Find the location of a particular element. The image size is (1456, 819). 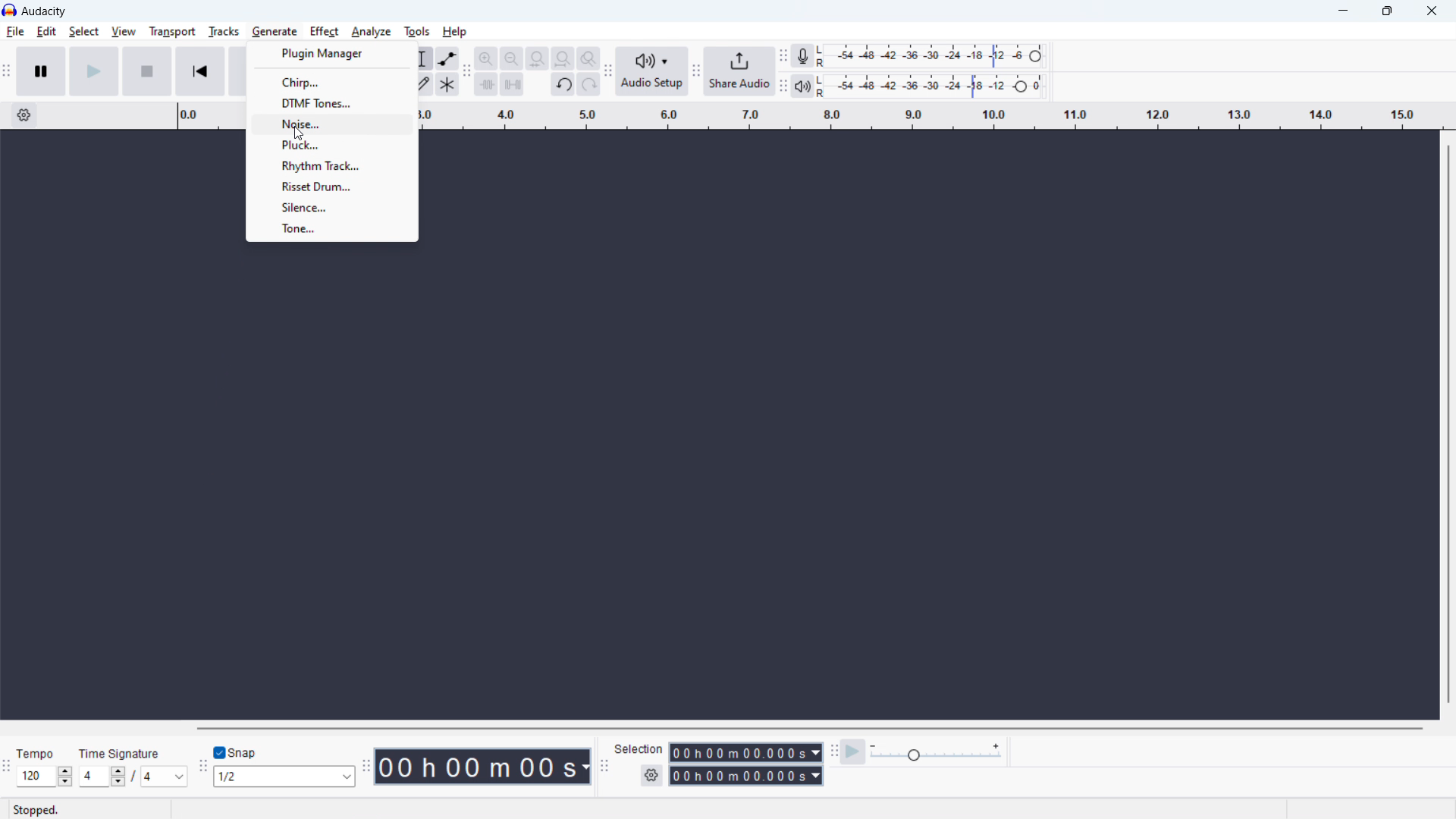

Timeline is located at coordinates (211, 111).